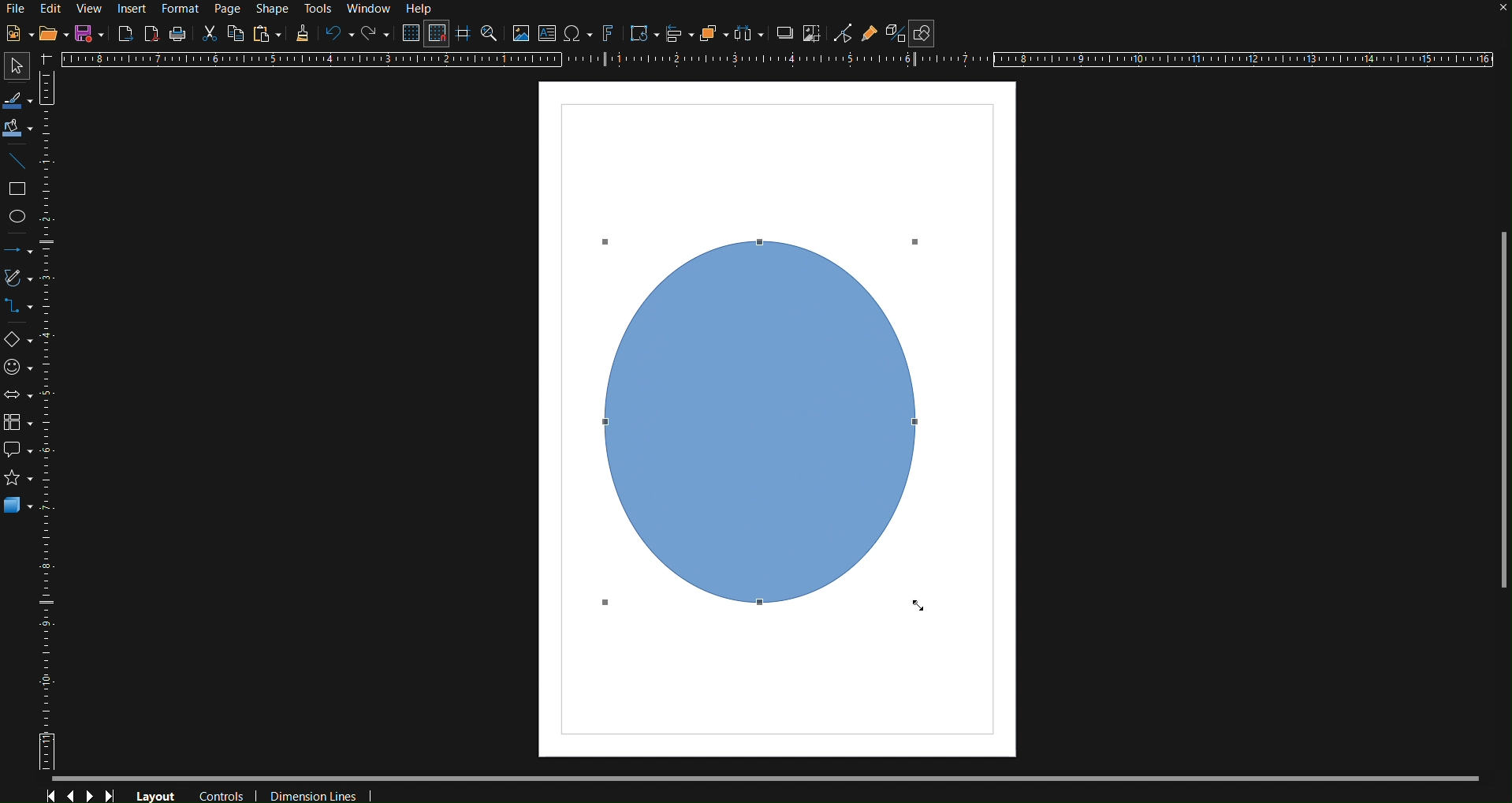 Image resolution: width=1512 pixels, height=803 pixels. What do you see at coordinates (20, 190) in the screenshot?
I see `Rectangle` at bounding box center [20, 190].